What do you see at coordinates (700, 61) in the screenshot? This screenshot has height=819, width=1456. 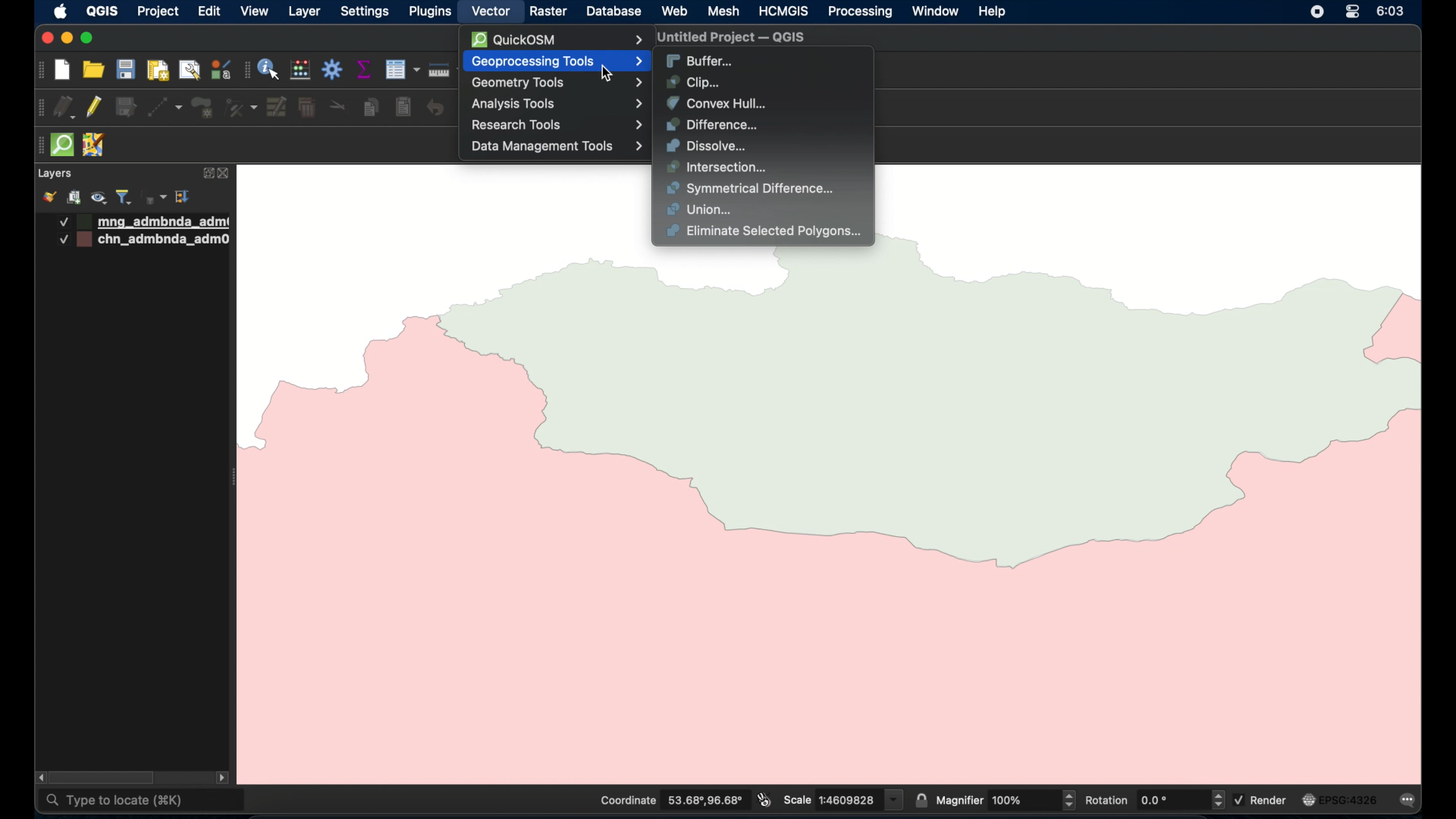 I see `buffer` at bounding box center [700, 61].